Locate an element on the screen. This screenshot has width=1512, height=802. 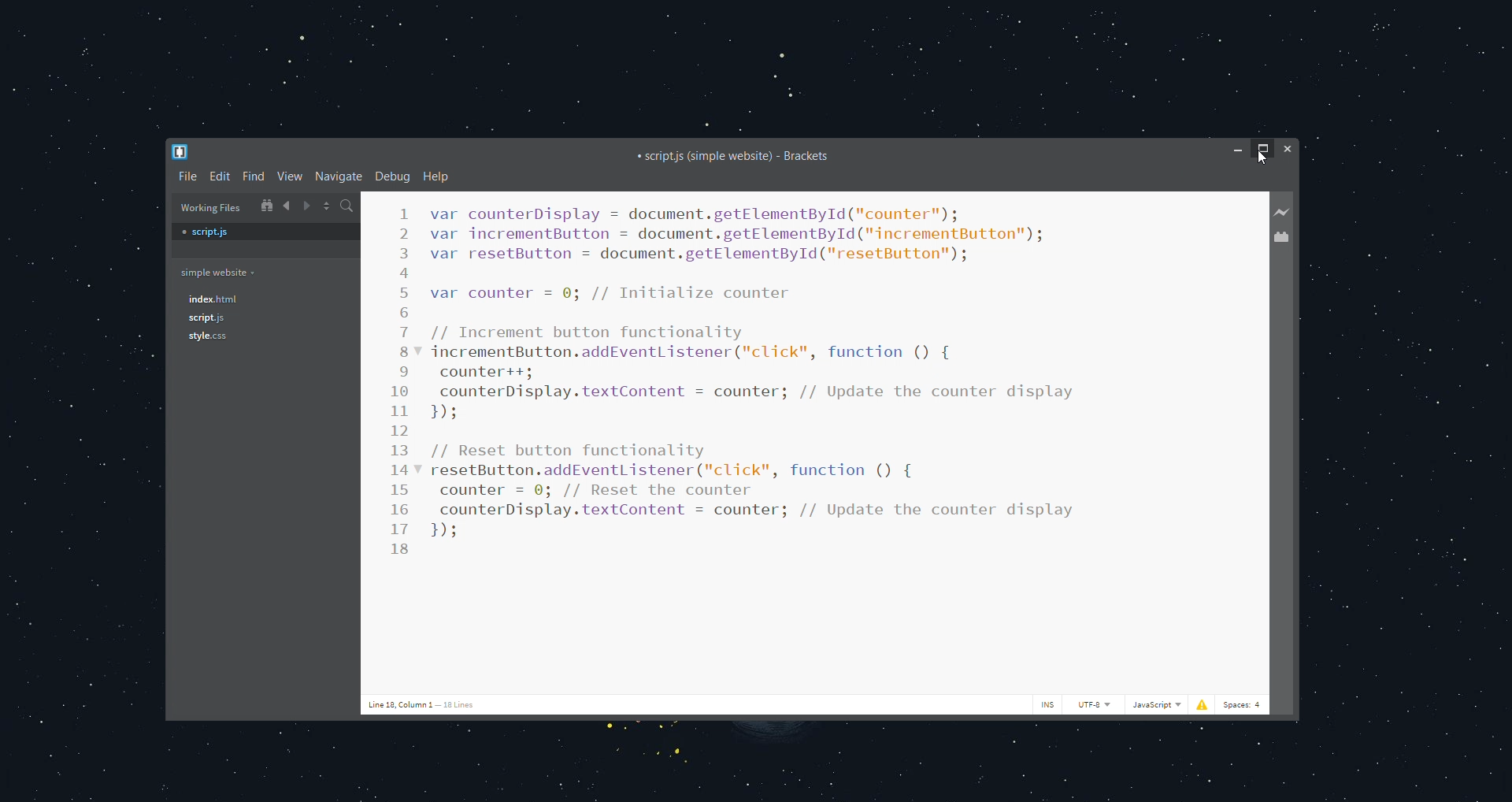
navigate forward is located at coordinates (307, 206).